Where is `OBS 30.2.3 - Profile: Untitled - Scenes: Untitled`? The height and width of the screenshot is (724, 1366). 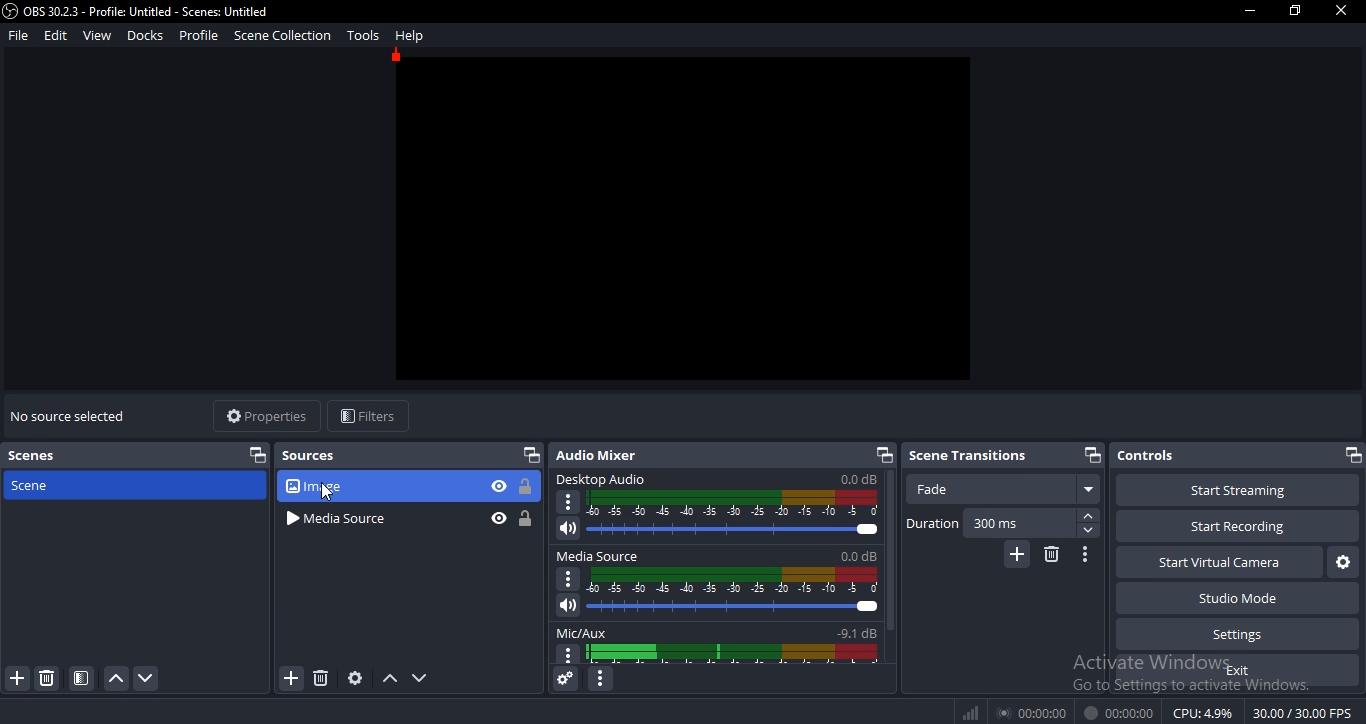 OBS 30.2.3 - Profile: Untitled - Scenes: Untitled is located at coordinates (136, 11).